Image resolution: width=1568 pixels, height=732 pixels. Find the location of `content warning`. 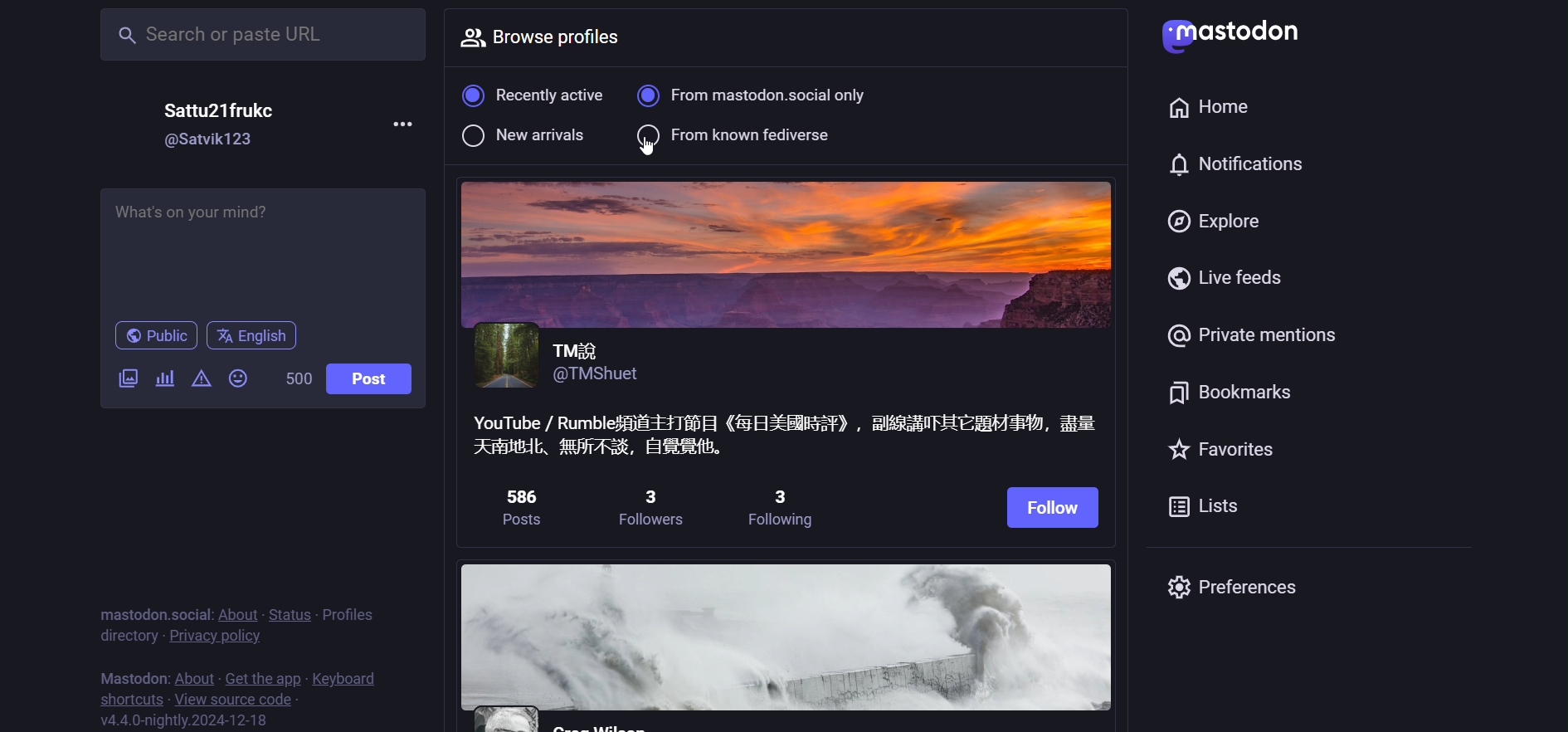

content warning is located at coordinates (200, 376).